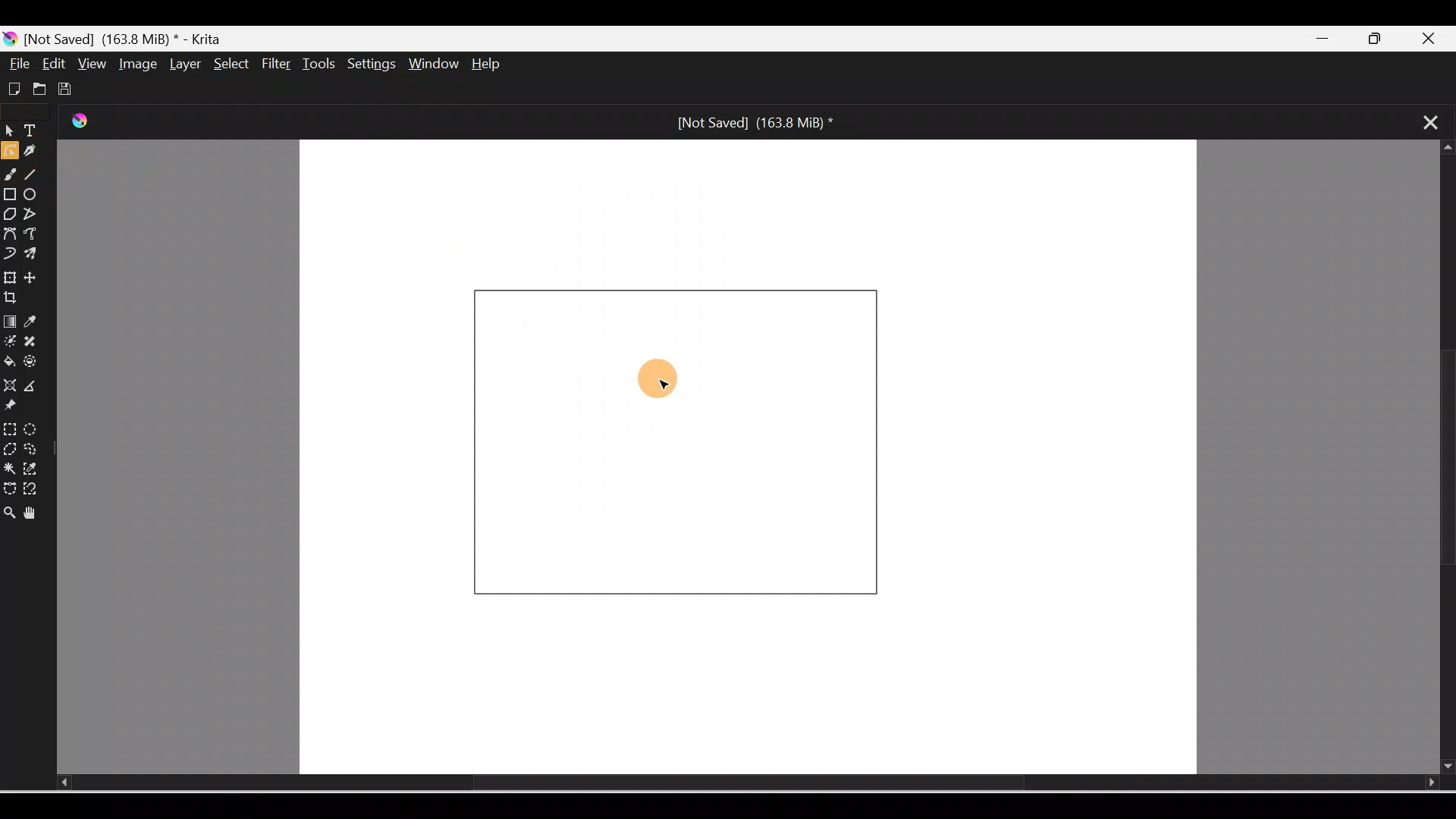  What do you see at coordinates (37, 89) in the screenshot?
I see `Open existing document` at bounding box center [37, 89].